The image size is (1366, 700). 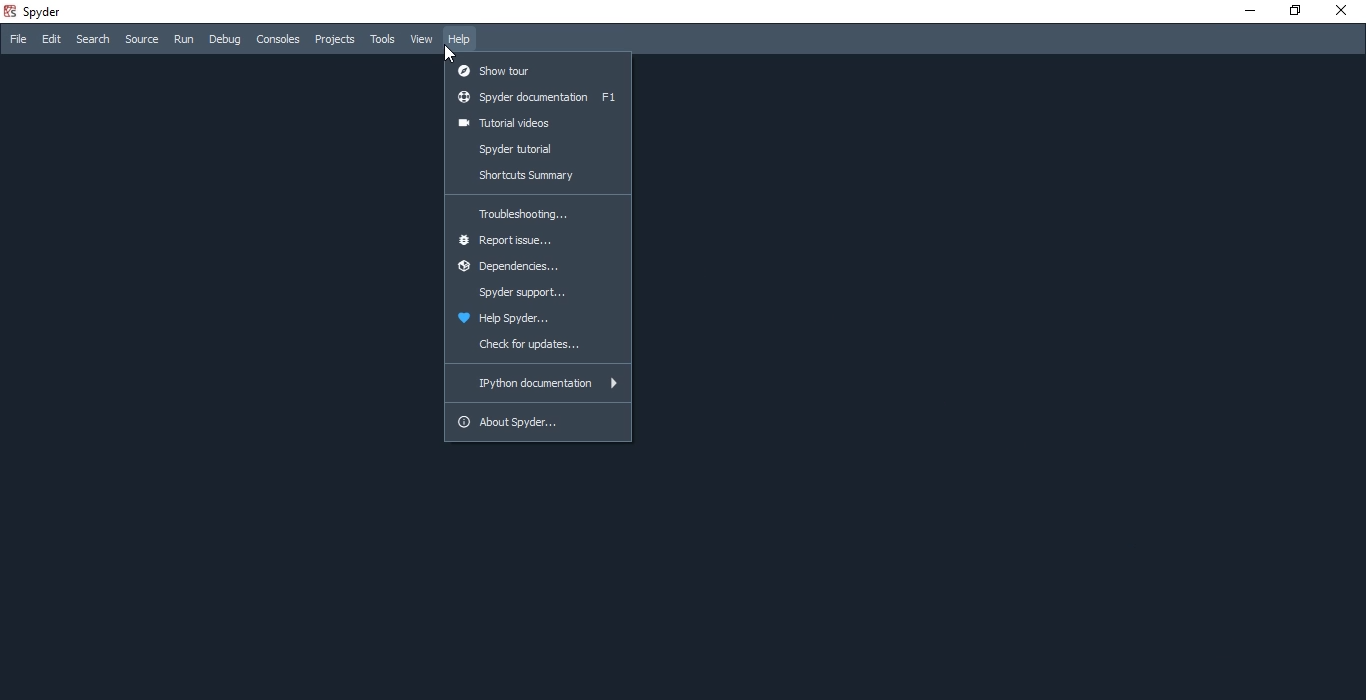 What do you see at coordinates (535, 384) in the screenshot?
I see `Ipython documentation` at bounding box center [535, 384].